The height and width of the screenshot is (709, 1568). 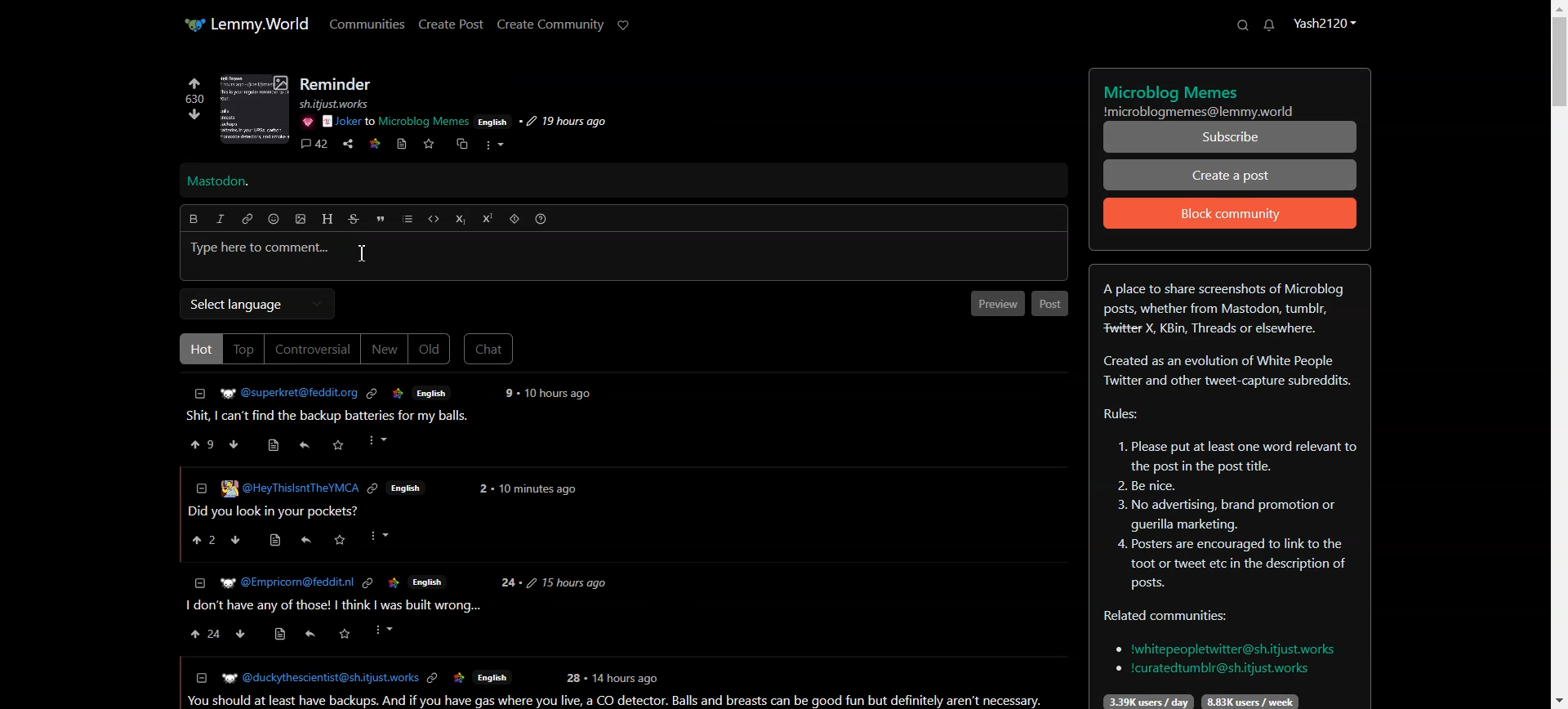 I want to click on 10 minutes ago, so click(x=537, y=491).